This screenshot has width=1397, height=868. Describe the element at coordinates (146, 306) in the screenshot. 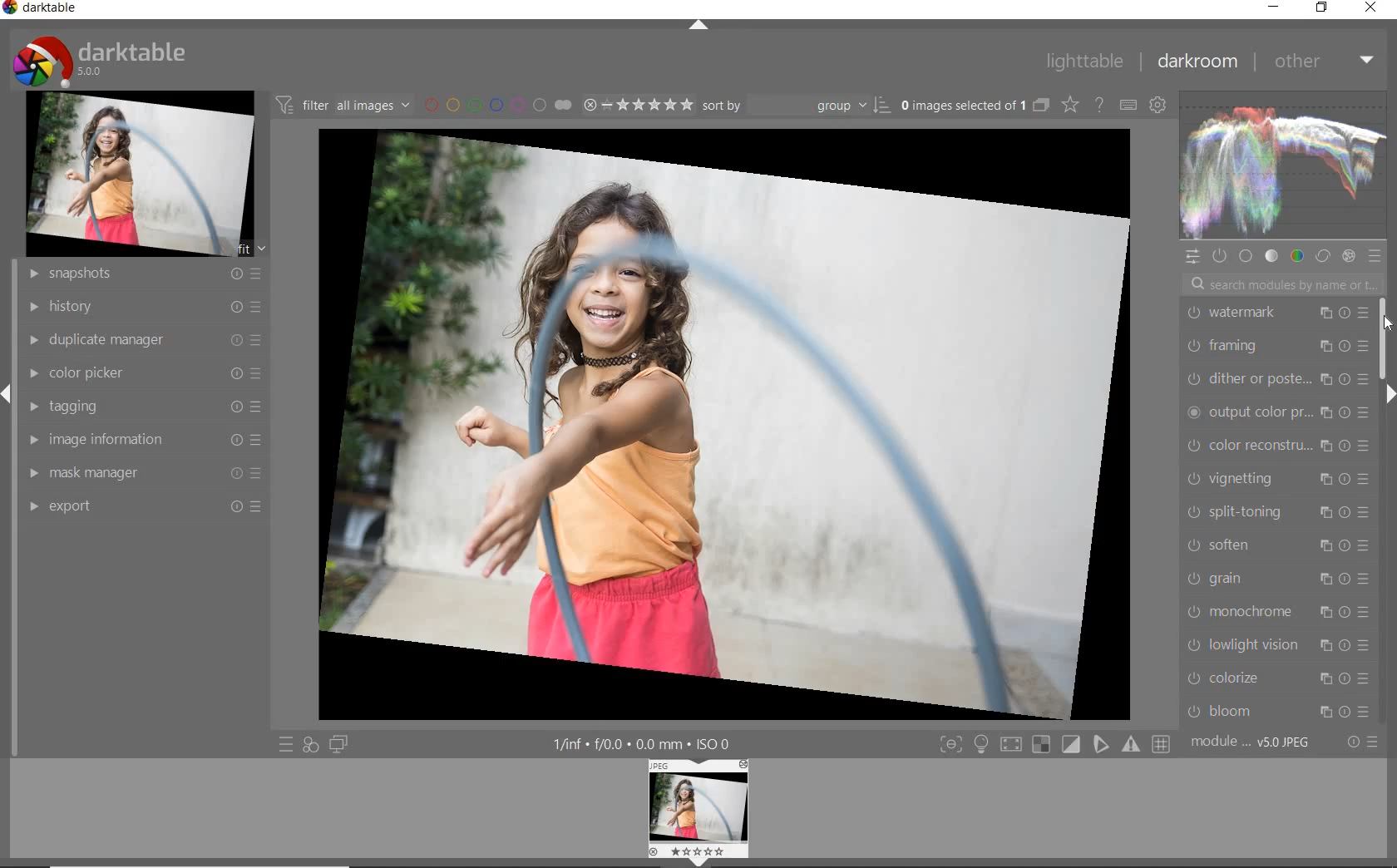

I see `history` at that location.